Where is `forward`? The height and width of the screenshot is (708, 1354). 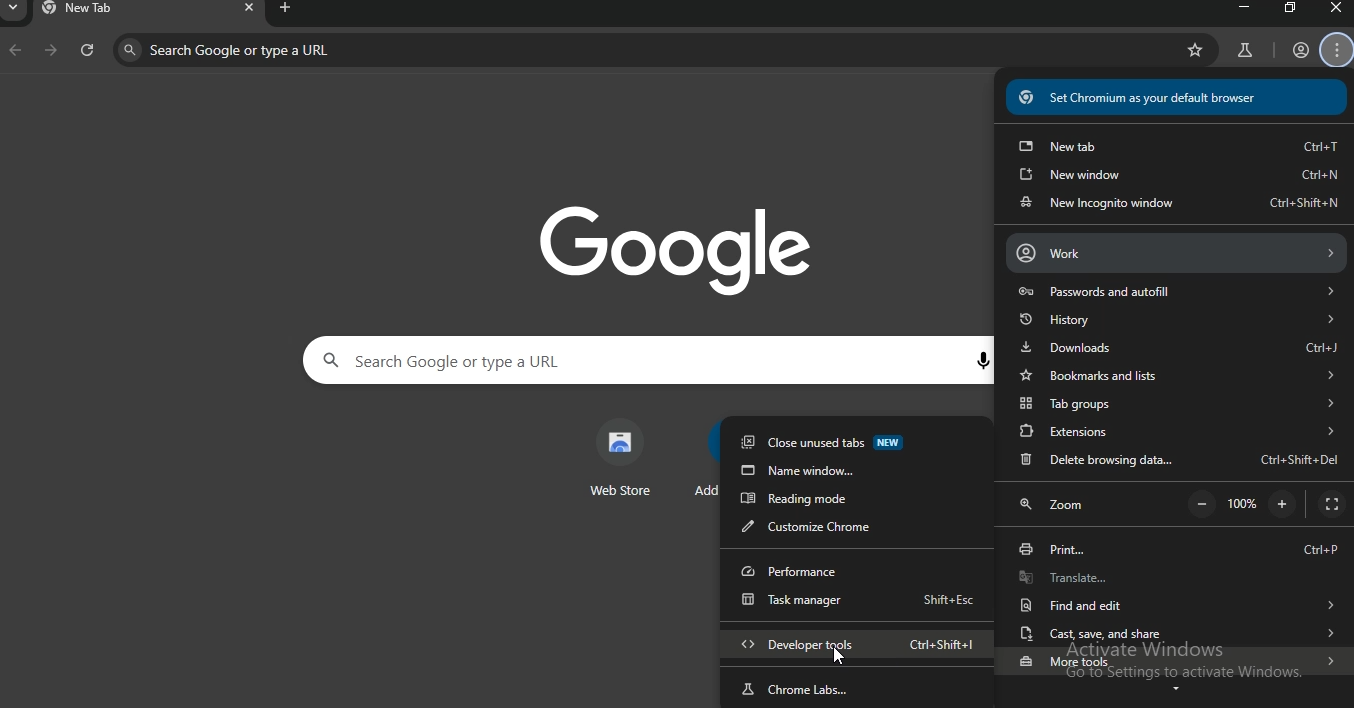 forward is located at coordinates (49, 51).